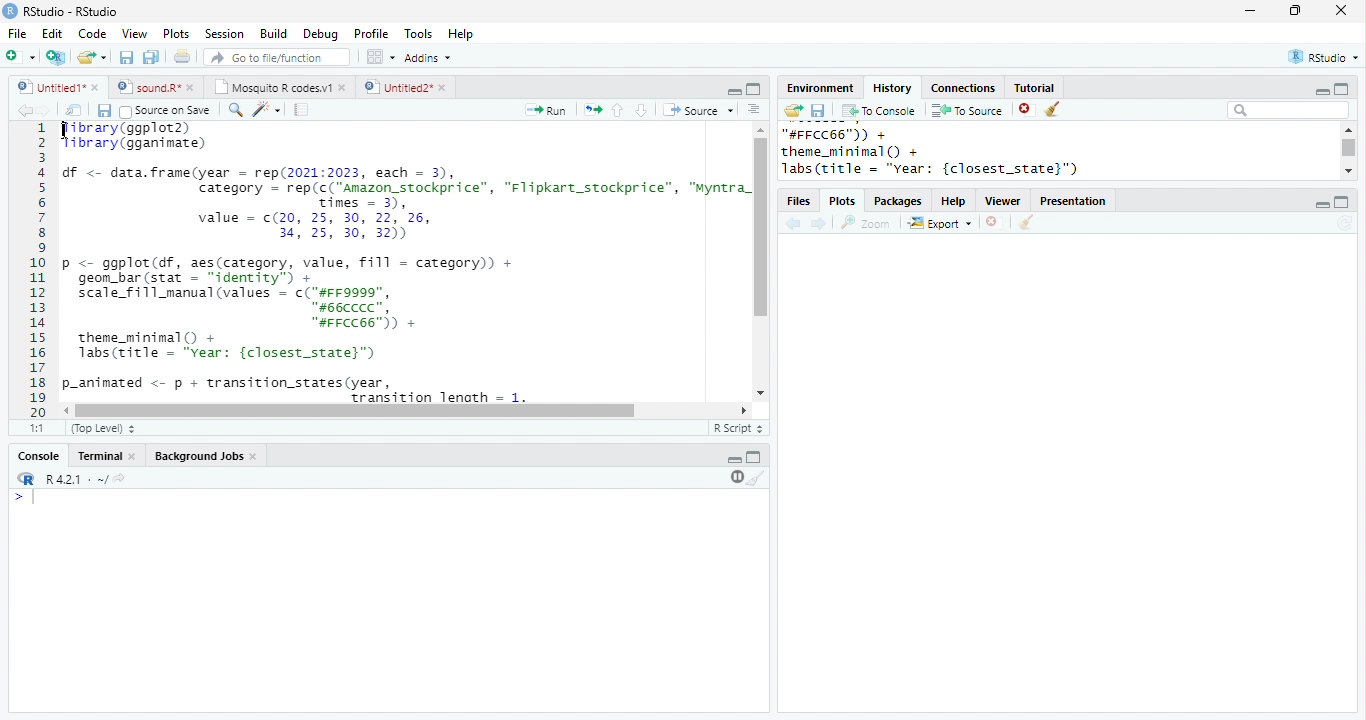 The image size is (1366, 720). What do you see at coordinates (548, 110) in the screenshot?
I see `Run` at bounding box center [548, 110].